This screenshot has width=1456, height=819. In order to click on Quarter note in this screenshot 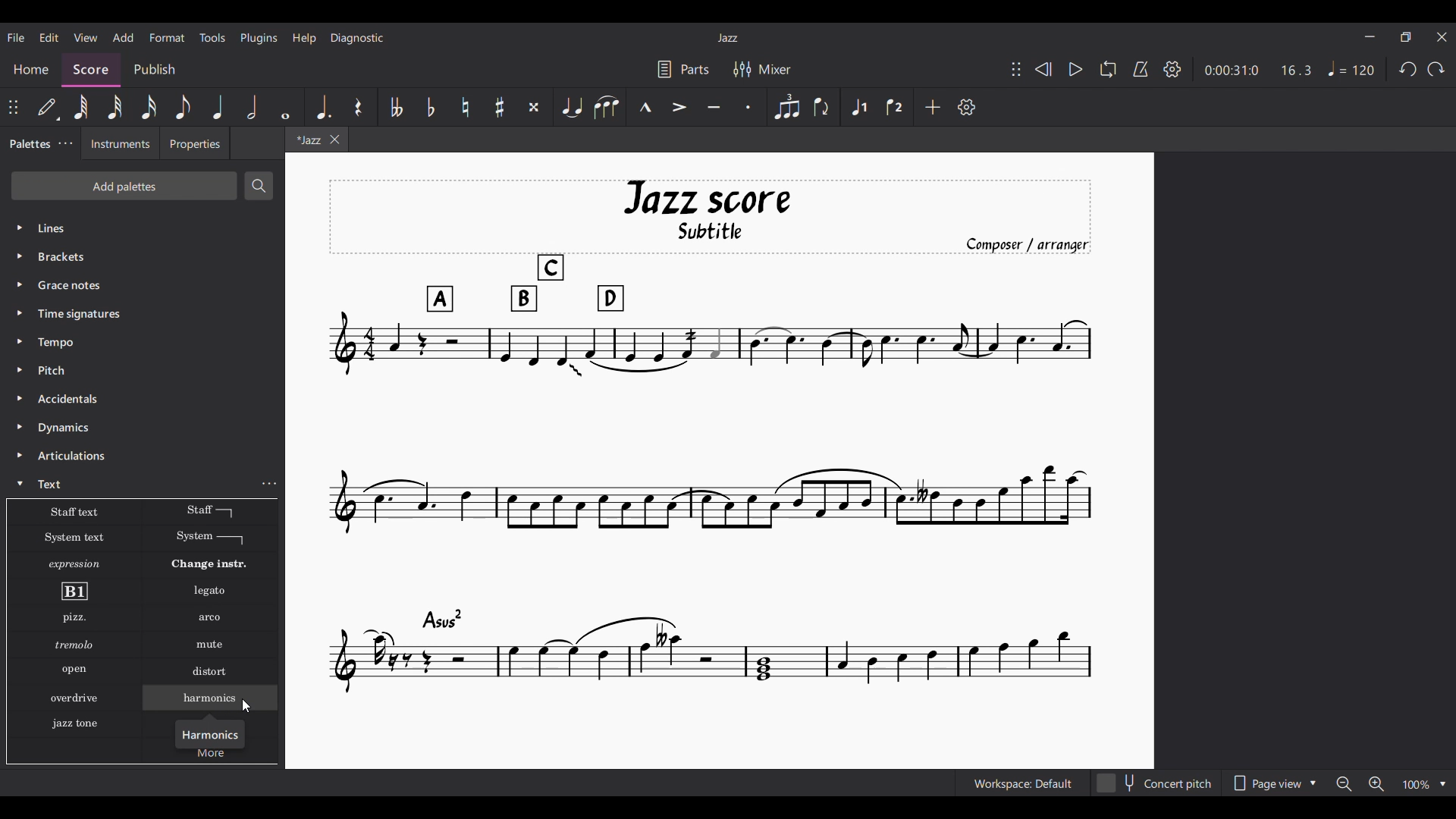, I will do `click(218, 107)`.